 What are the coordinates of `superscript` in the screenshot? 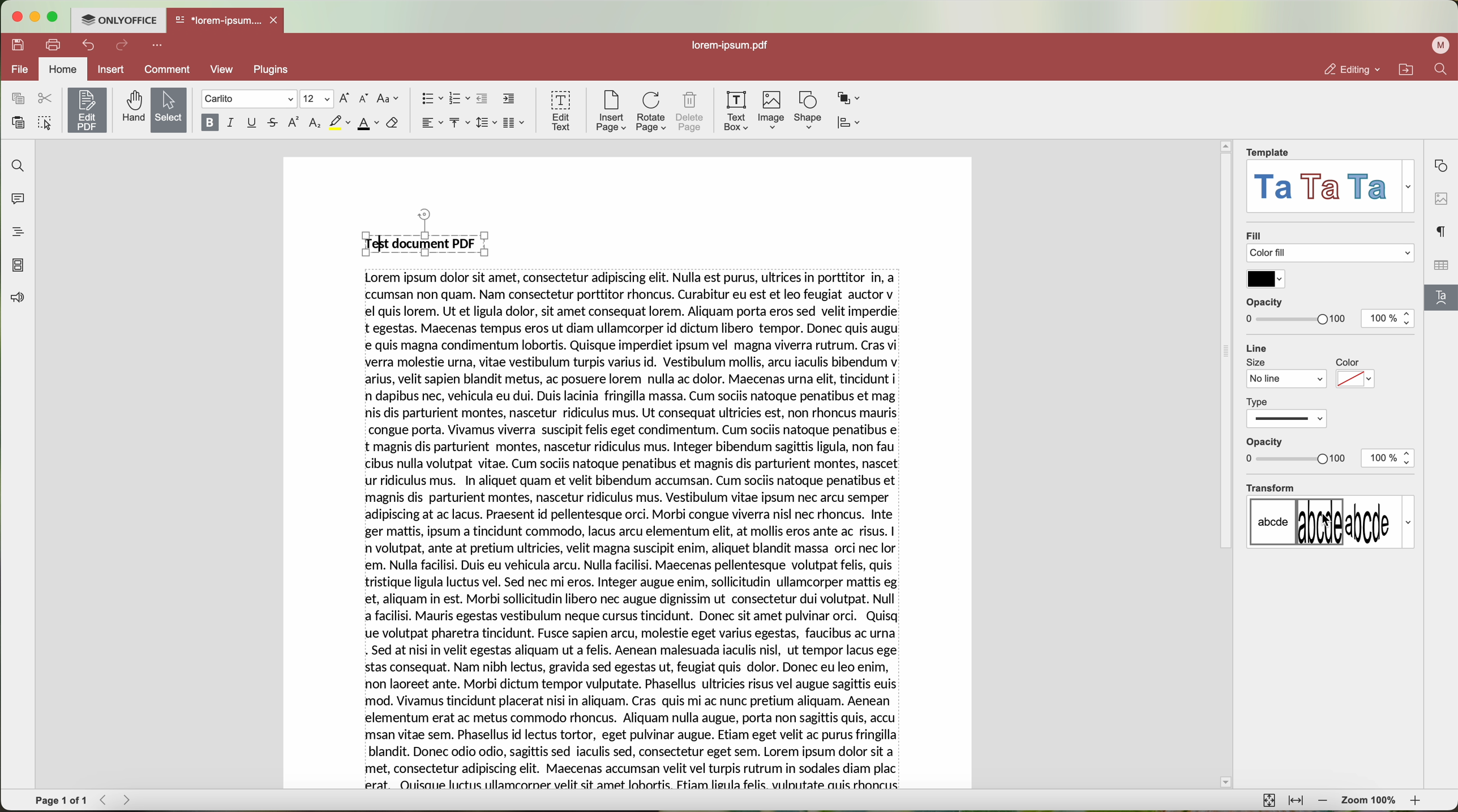 It's located at (295, 123).